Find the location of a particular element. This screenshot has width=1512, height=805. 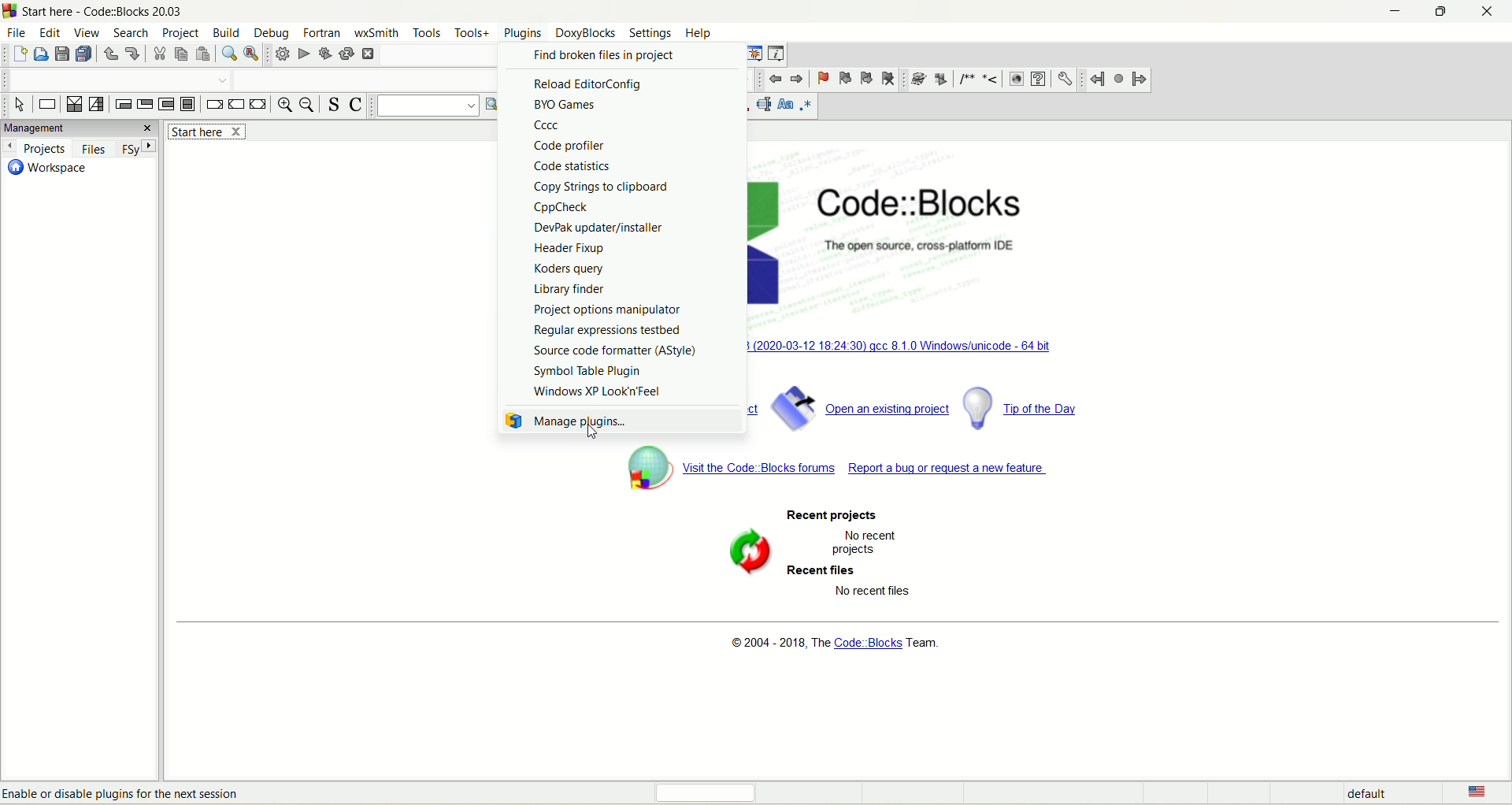

copy strings to clipboard is located at coordinates (603, 186).